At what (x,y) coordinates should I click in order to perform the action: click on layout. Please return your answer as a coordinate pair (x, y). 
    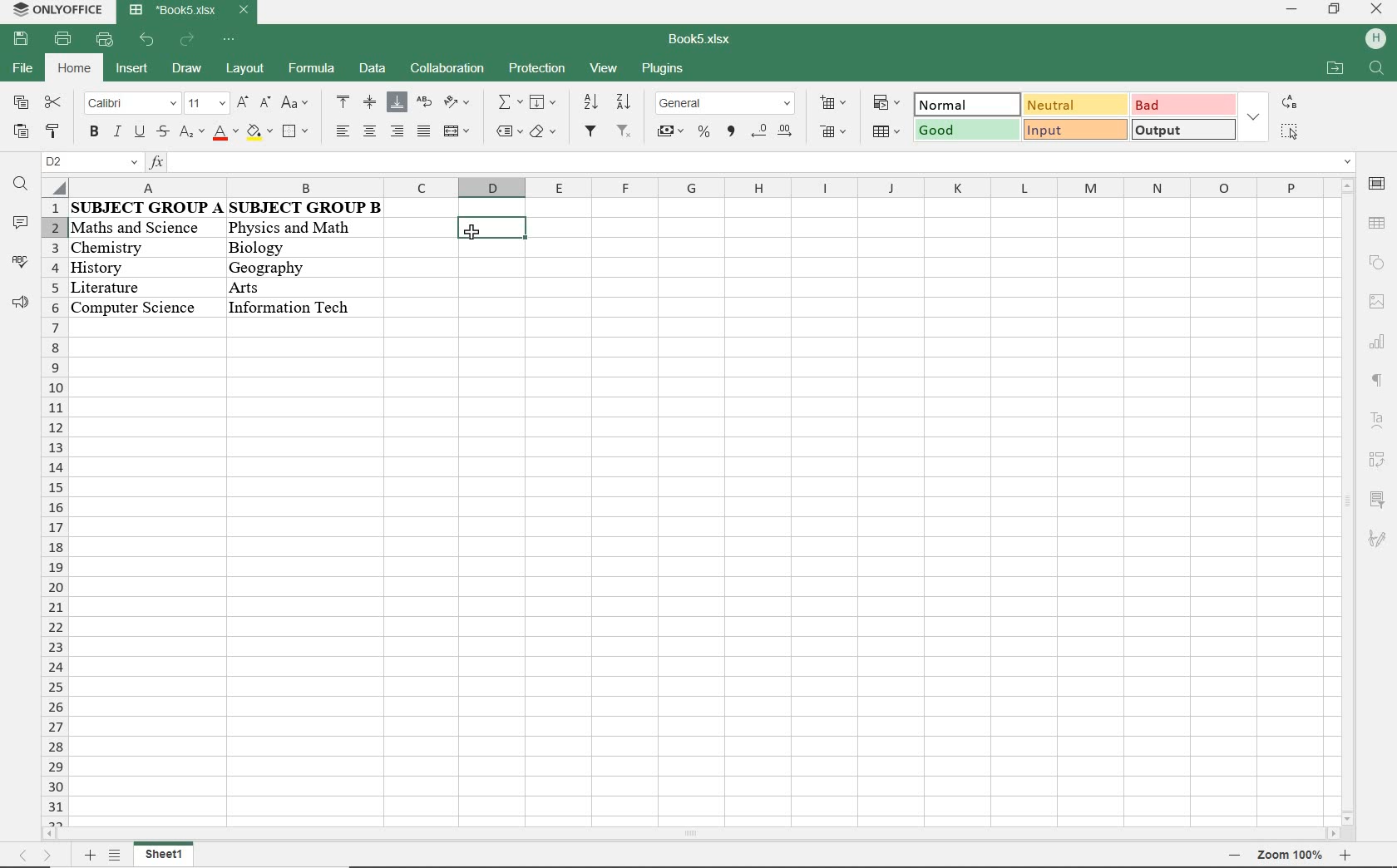
    Looking at the image, I should click on (244, 67).